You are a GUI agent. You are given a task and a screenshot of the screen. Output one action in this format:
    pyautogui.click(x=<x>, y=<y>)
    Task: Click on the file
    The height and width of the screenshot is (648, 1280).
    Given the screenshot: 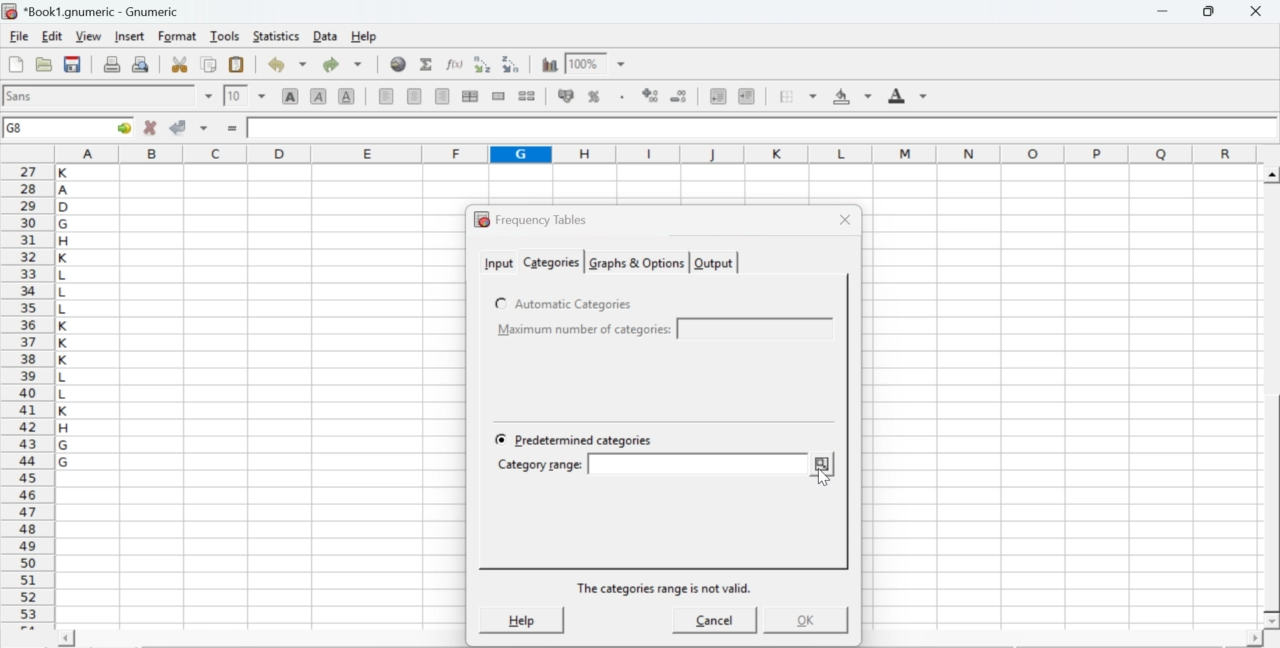 What is the action you would take?
    pyautogui.click(x=18, y=37)
    